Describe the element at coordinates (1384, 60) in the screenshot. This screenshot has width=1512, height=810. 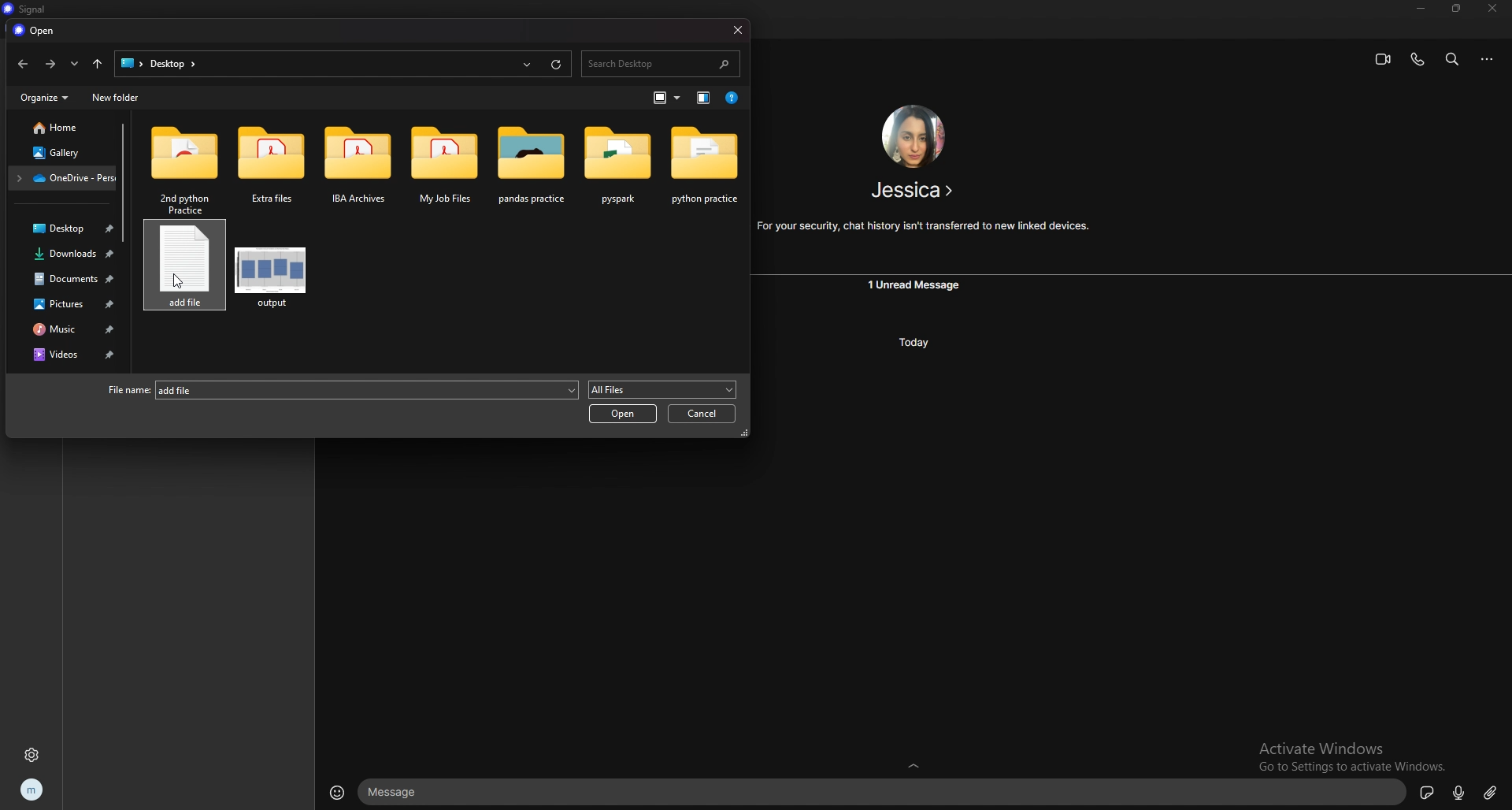
I see `video call` at that location.